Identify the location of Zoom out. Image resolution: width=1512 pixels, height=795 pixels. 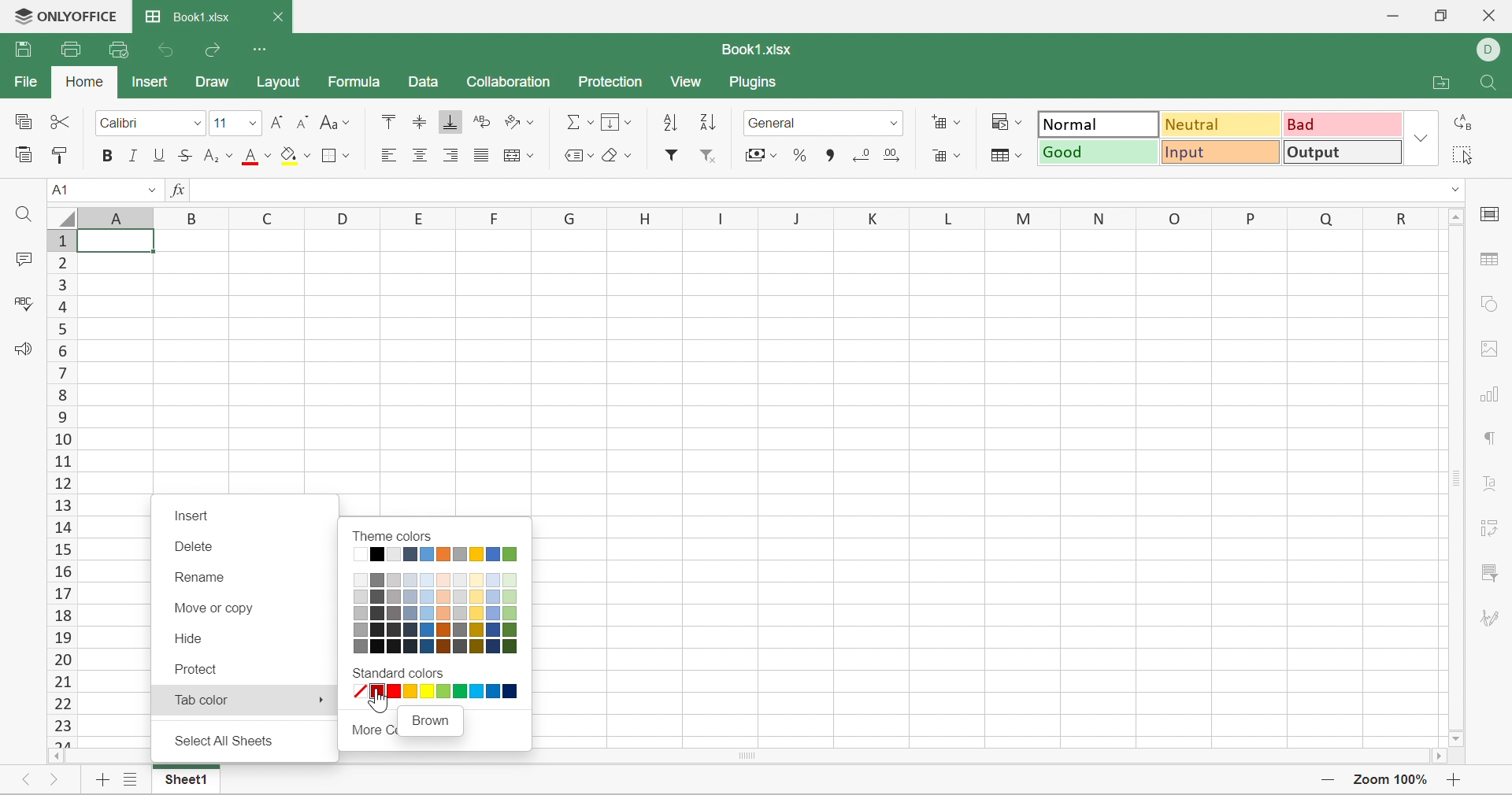
(1326, 780).